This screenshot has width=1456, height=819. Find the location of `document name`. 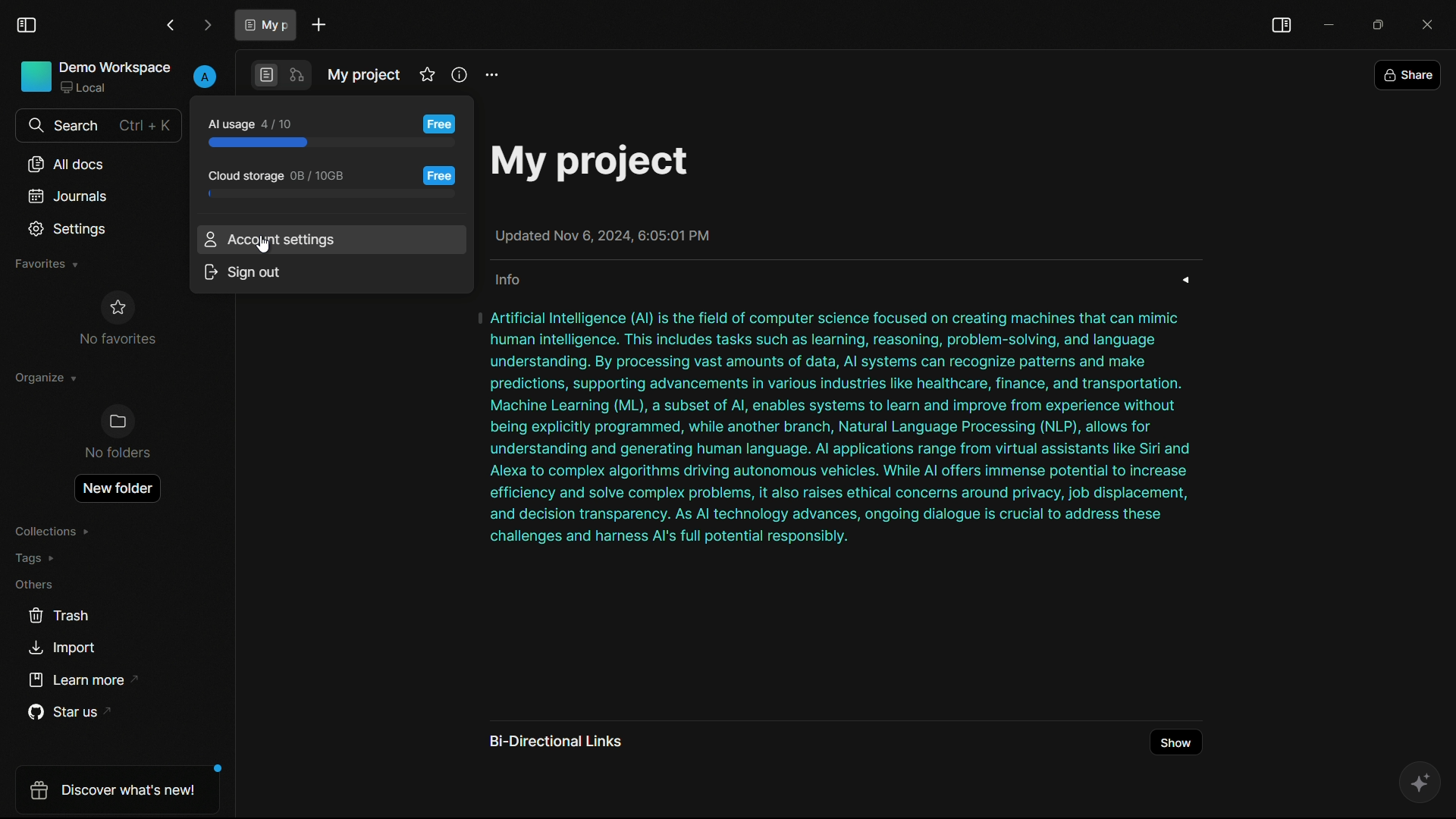

document name is located at coordinates (363, 76).